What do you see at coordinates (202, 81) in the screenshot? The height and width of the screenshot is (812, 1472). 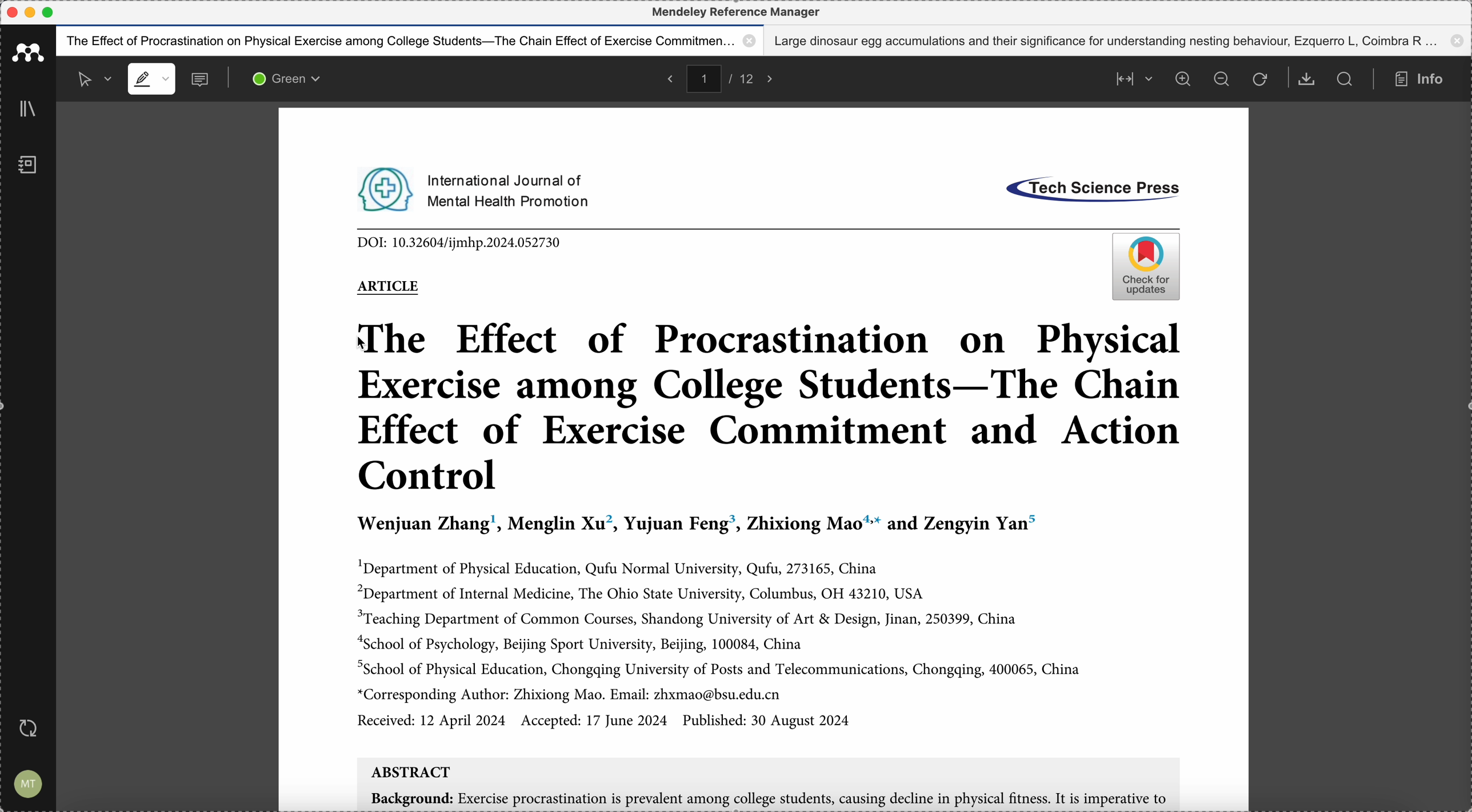 I see `comments` at bounding box center [202, 81].